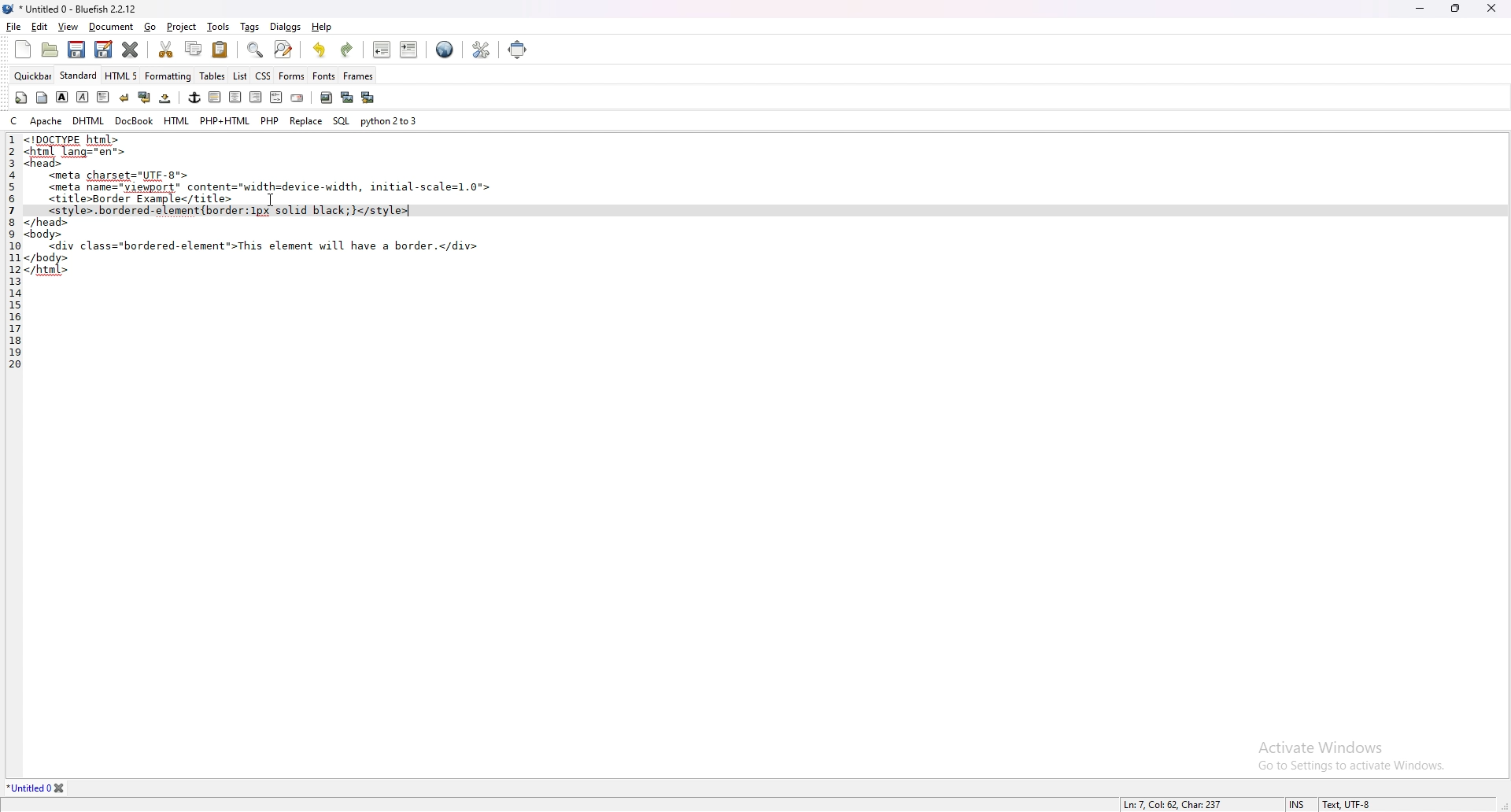 This screenshot has height=812, width=1511. What do you see at coordinates (370, 97) in the screenshot?
I see `multi thumbnail` at bounding box center [370, 97].